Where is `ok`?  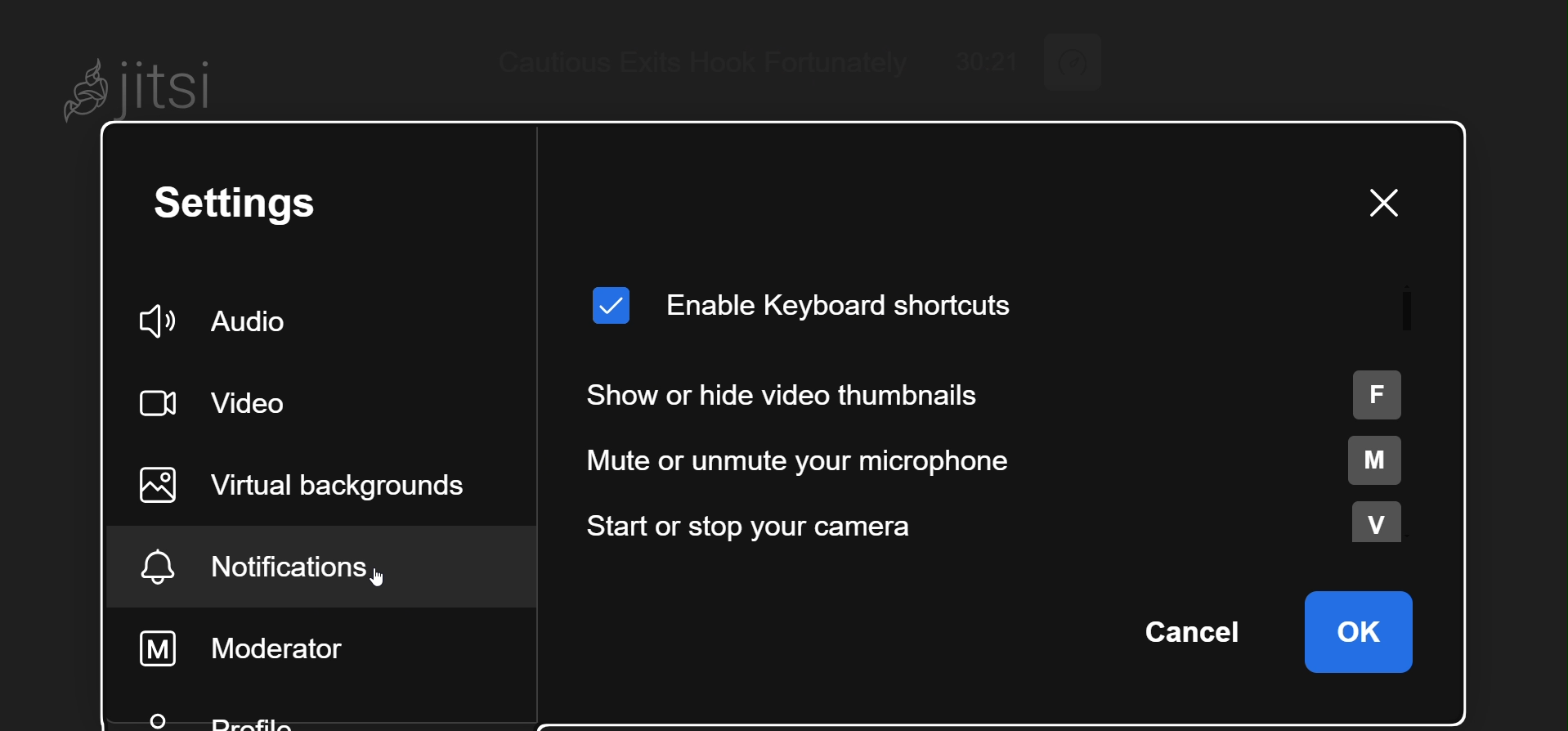 ok is located at coordinates (1363, 630).